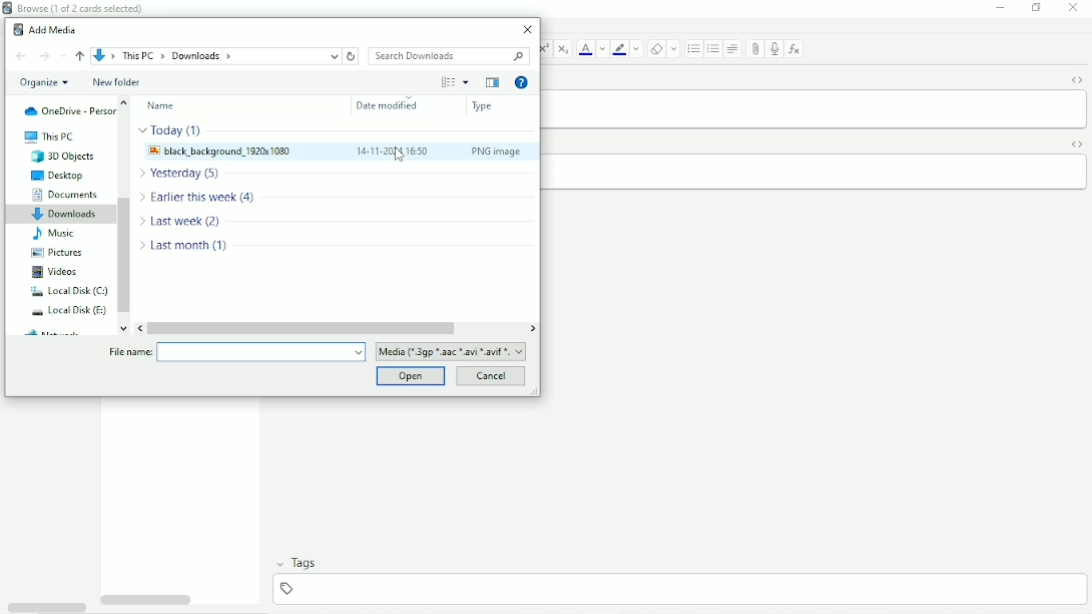 This screenshot has height=614, width=1092. I want to click on move left, so click(139, 328).